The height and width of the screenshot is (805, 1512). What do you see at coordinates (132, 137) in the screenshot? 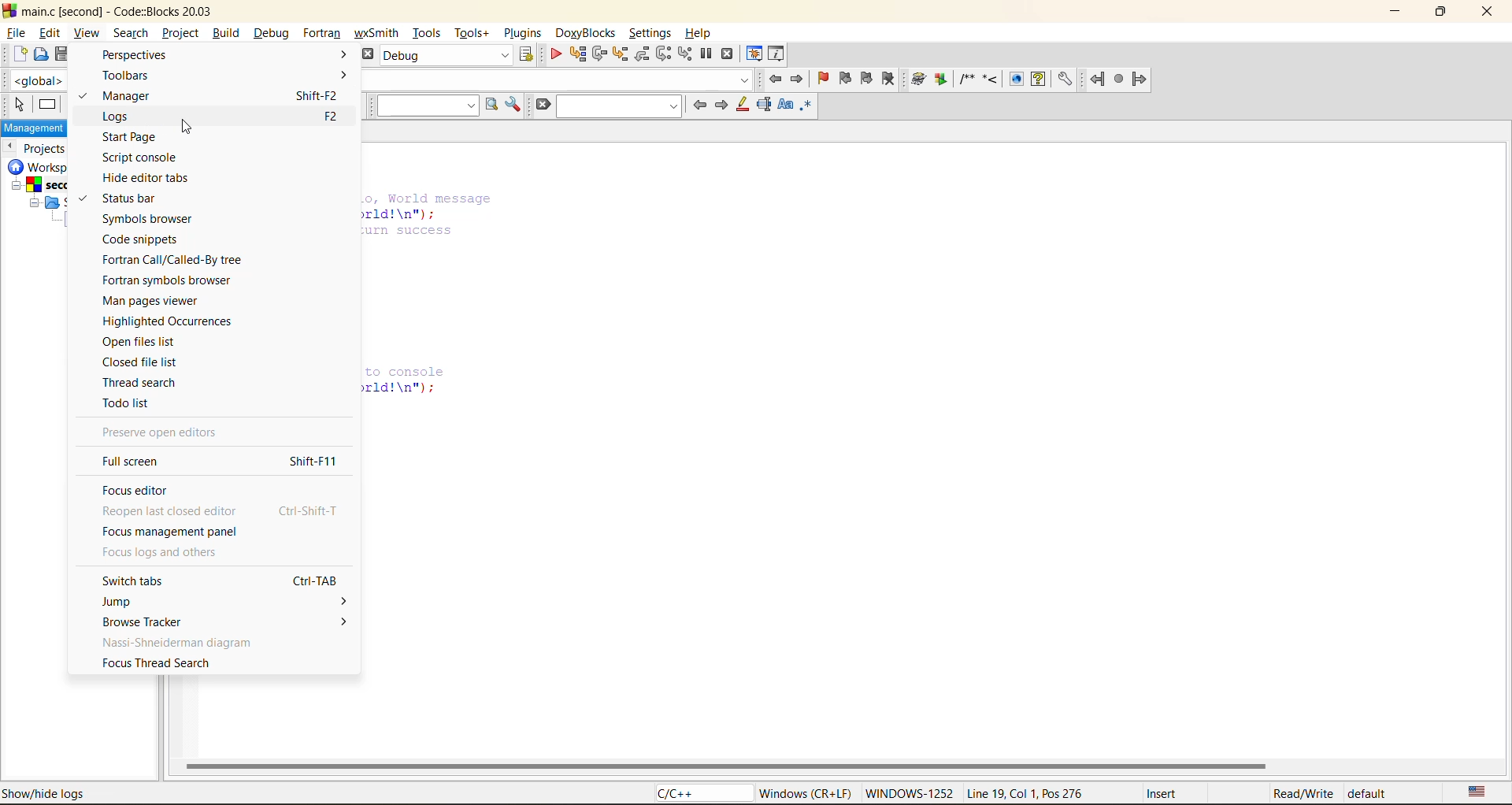
I see `start page` at bounding box center [132, 137].